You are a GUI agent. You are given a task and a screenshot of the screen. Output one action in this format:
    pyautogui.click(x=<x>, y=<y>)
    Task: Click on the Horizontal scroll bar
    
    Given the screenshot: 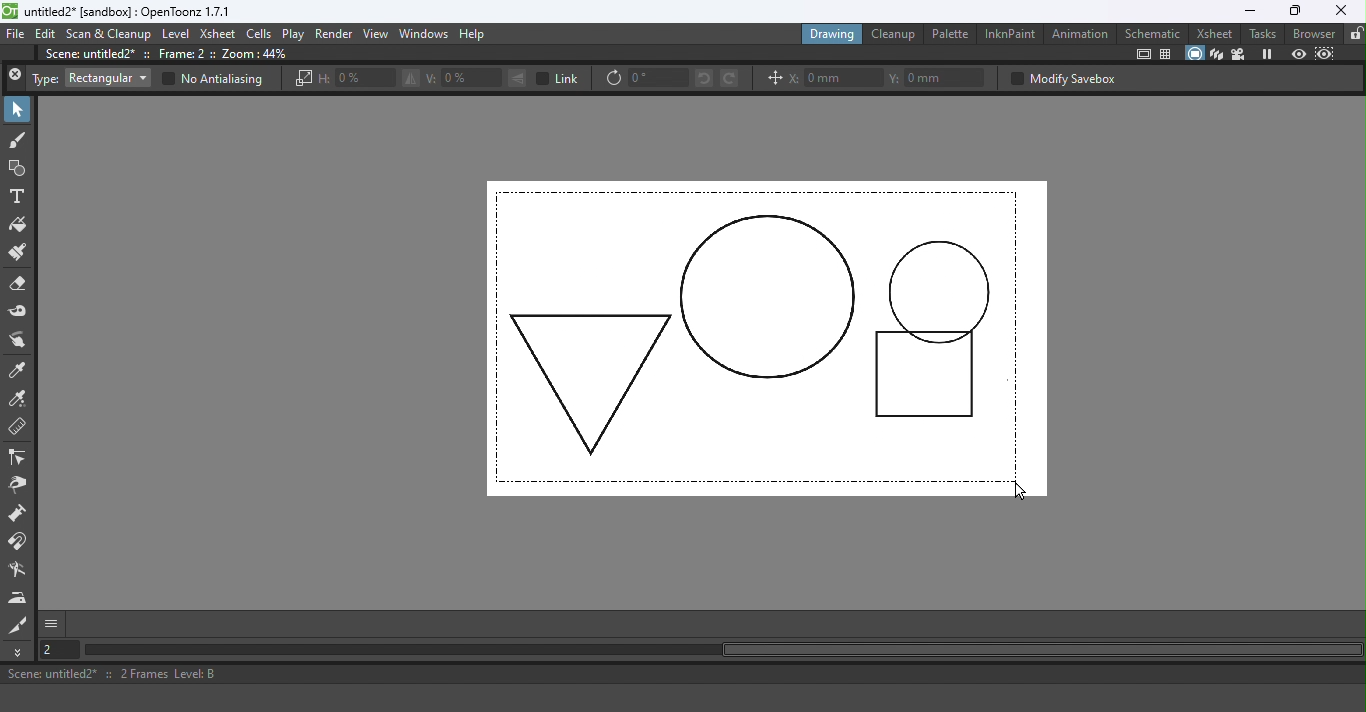 What is the action you would take?
    pyautogui.click(x=733, y=651)
    